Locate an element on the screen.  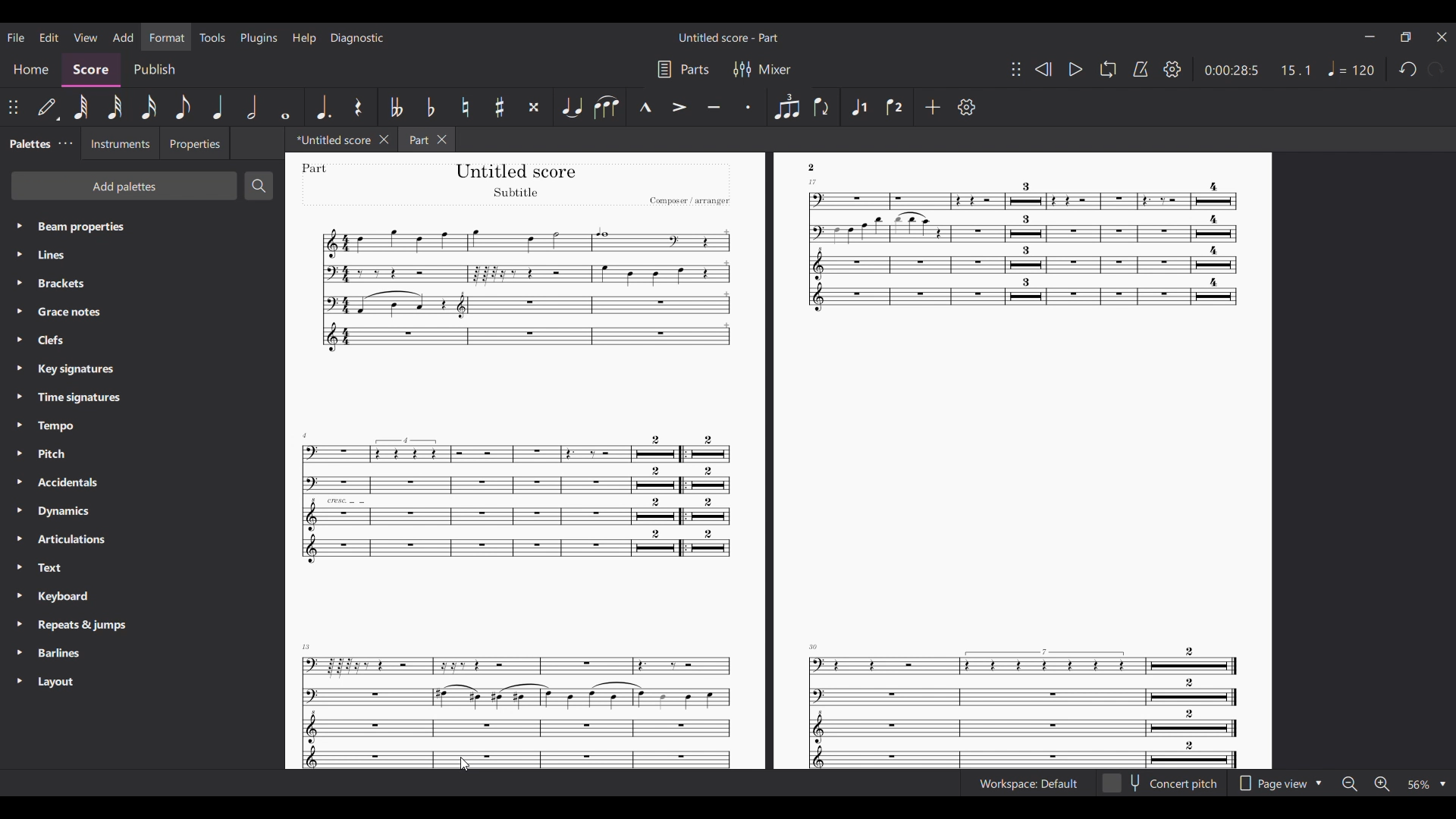
Dynamics is located at coordinates (65, 510).